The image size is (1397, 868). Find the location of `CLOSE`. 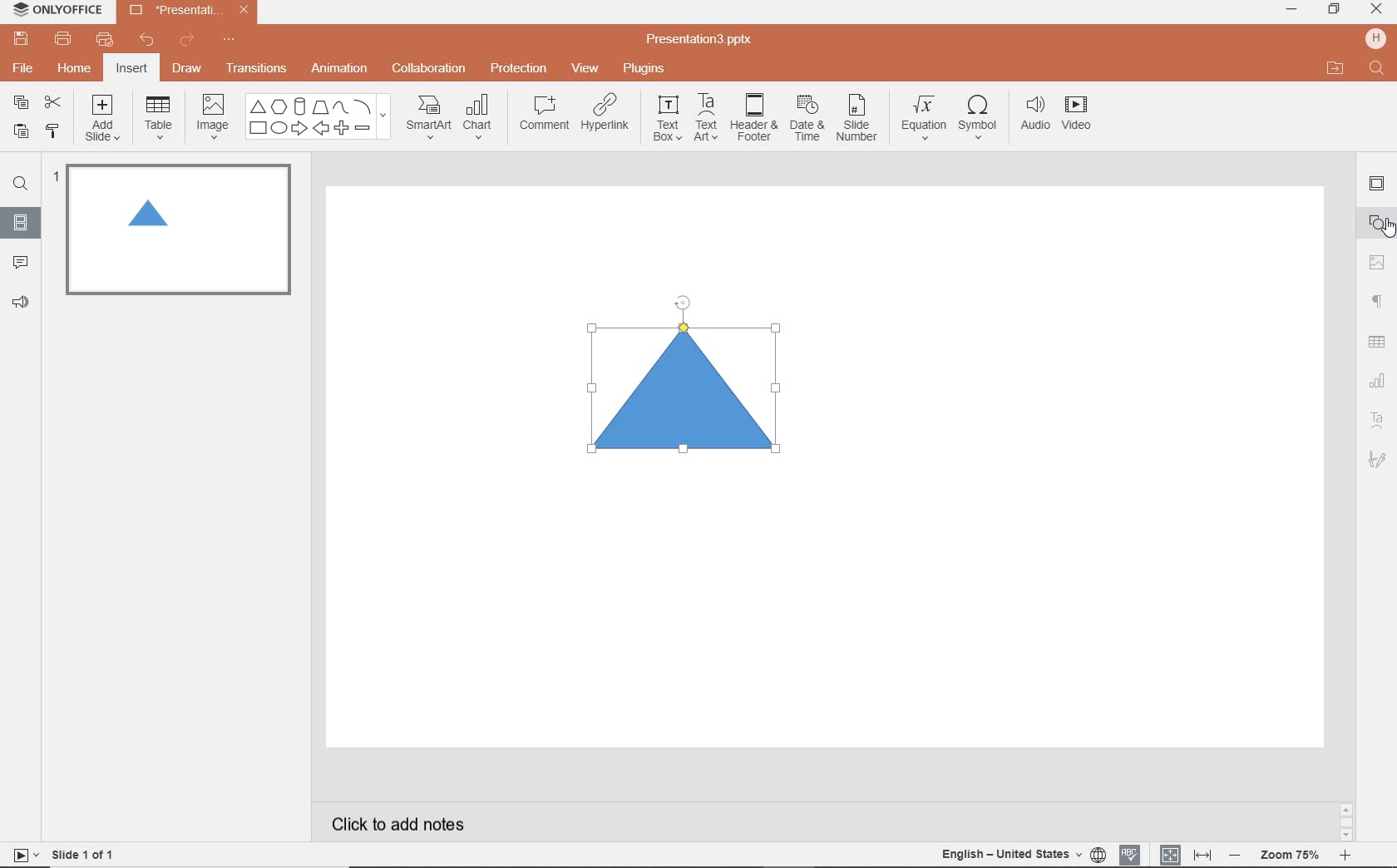

CLOSE is located at coordinates (1376, 10).